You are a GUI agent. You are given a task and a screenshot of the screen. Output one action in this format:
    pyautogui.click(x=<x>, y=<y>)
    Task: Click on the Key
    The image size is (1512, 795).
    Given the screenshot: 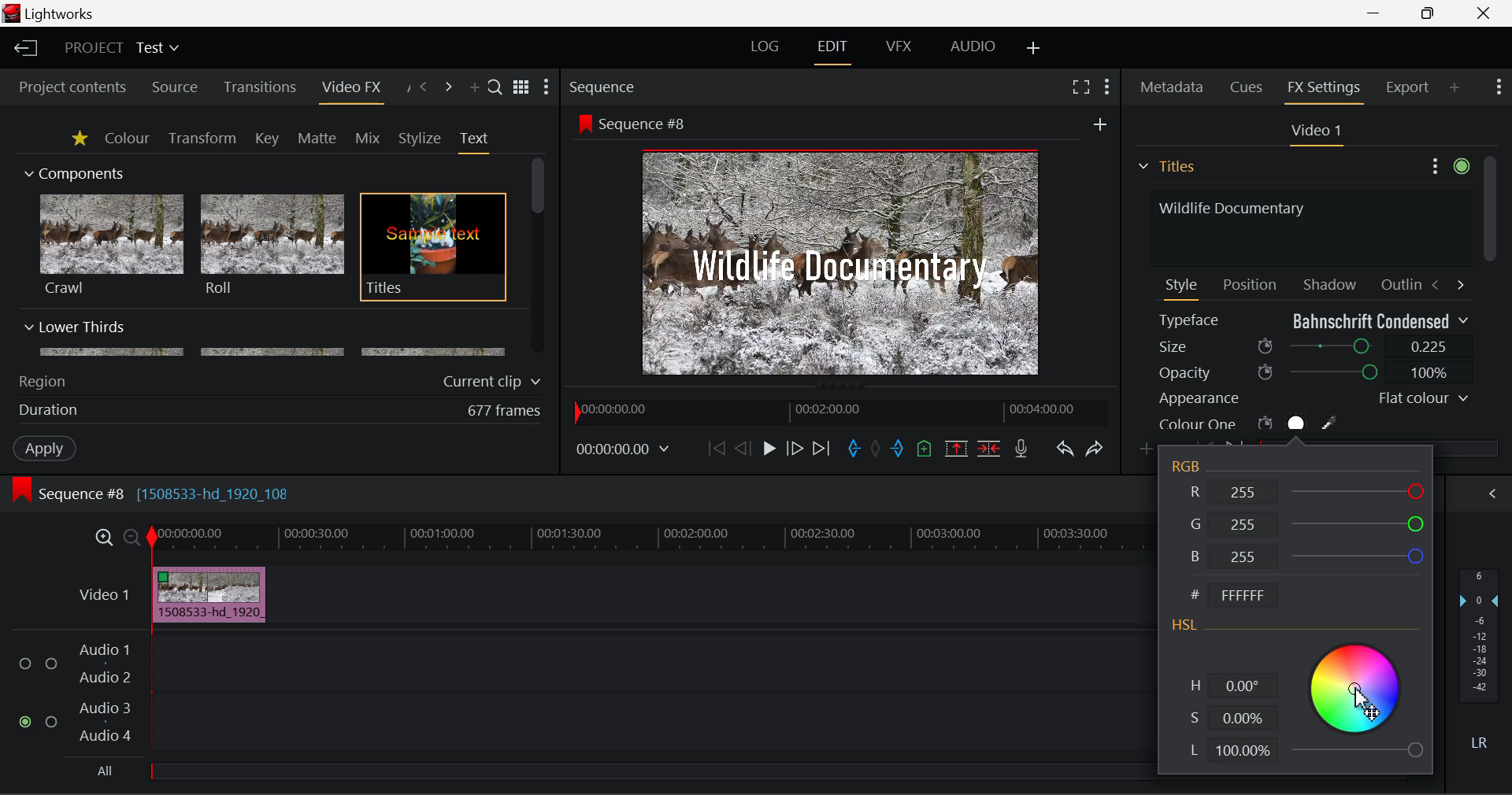 What is the action you would take?
    pyautogui.click(x=269, y=139)
    